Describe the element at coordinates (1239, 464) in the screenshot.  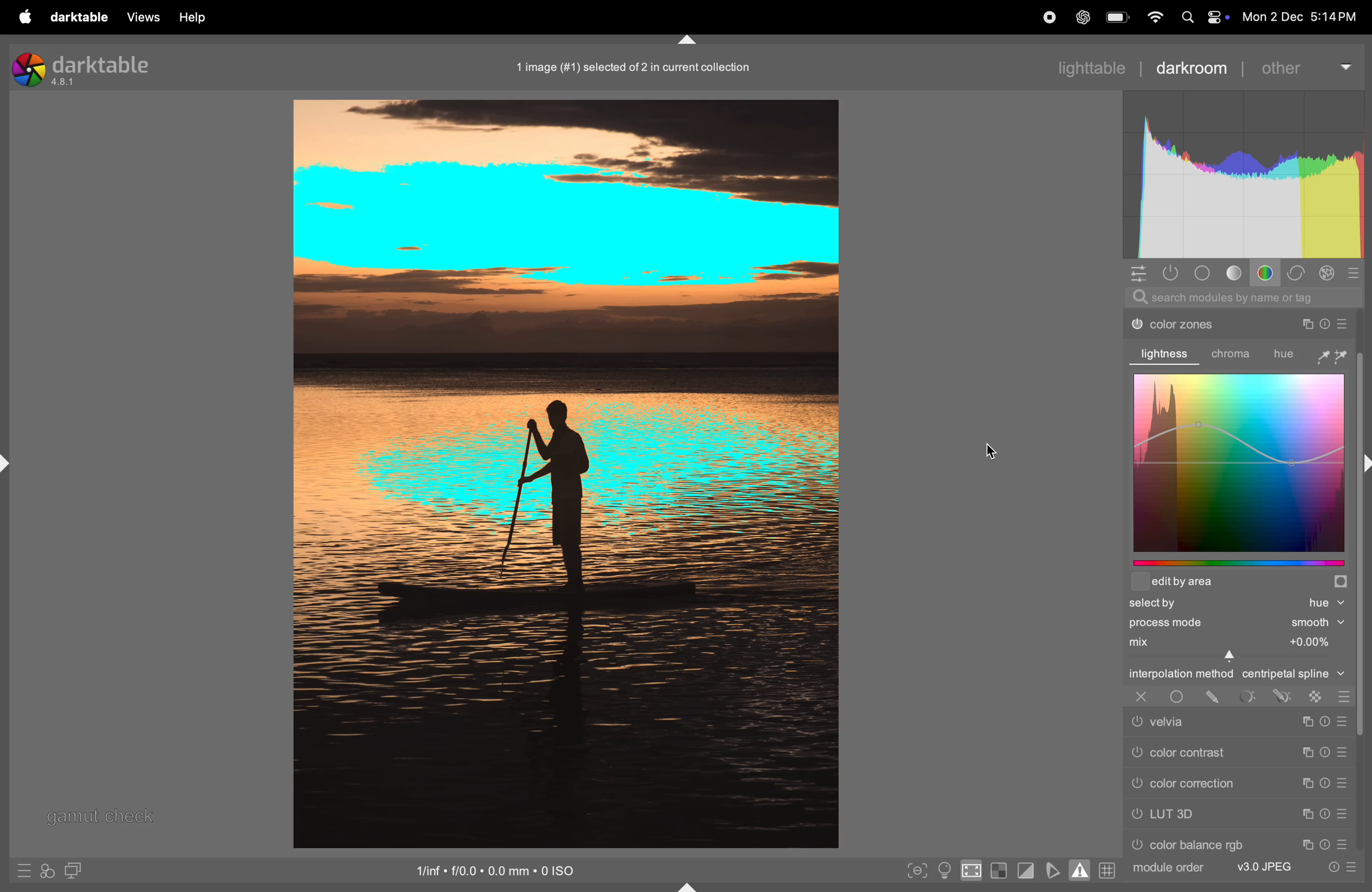
I see `color graphs` at that location.